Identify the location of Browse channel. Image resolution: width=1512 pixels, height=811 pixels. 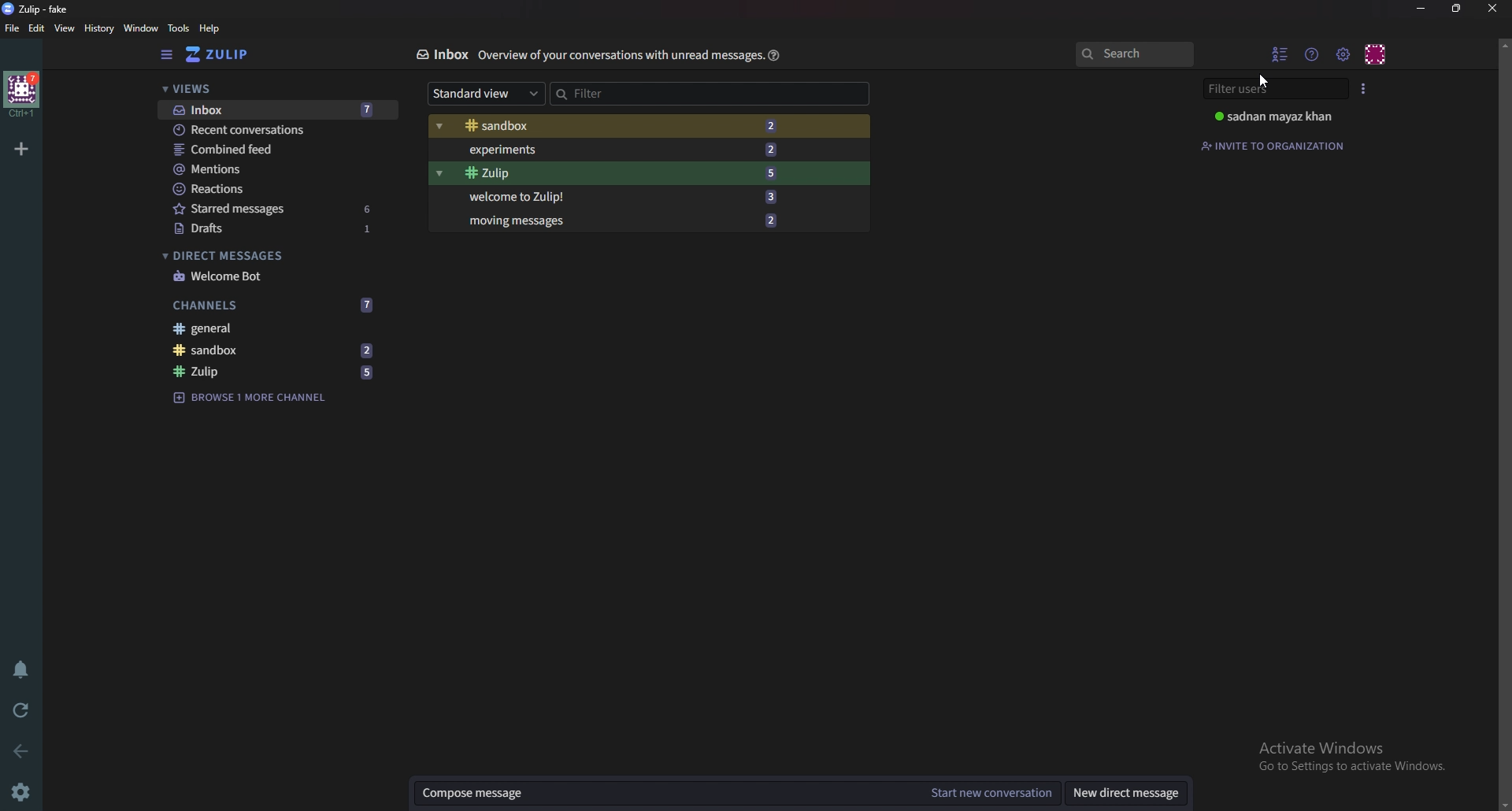
(259, 398).